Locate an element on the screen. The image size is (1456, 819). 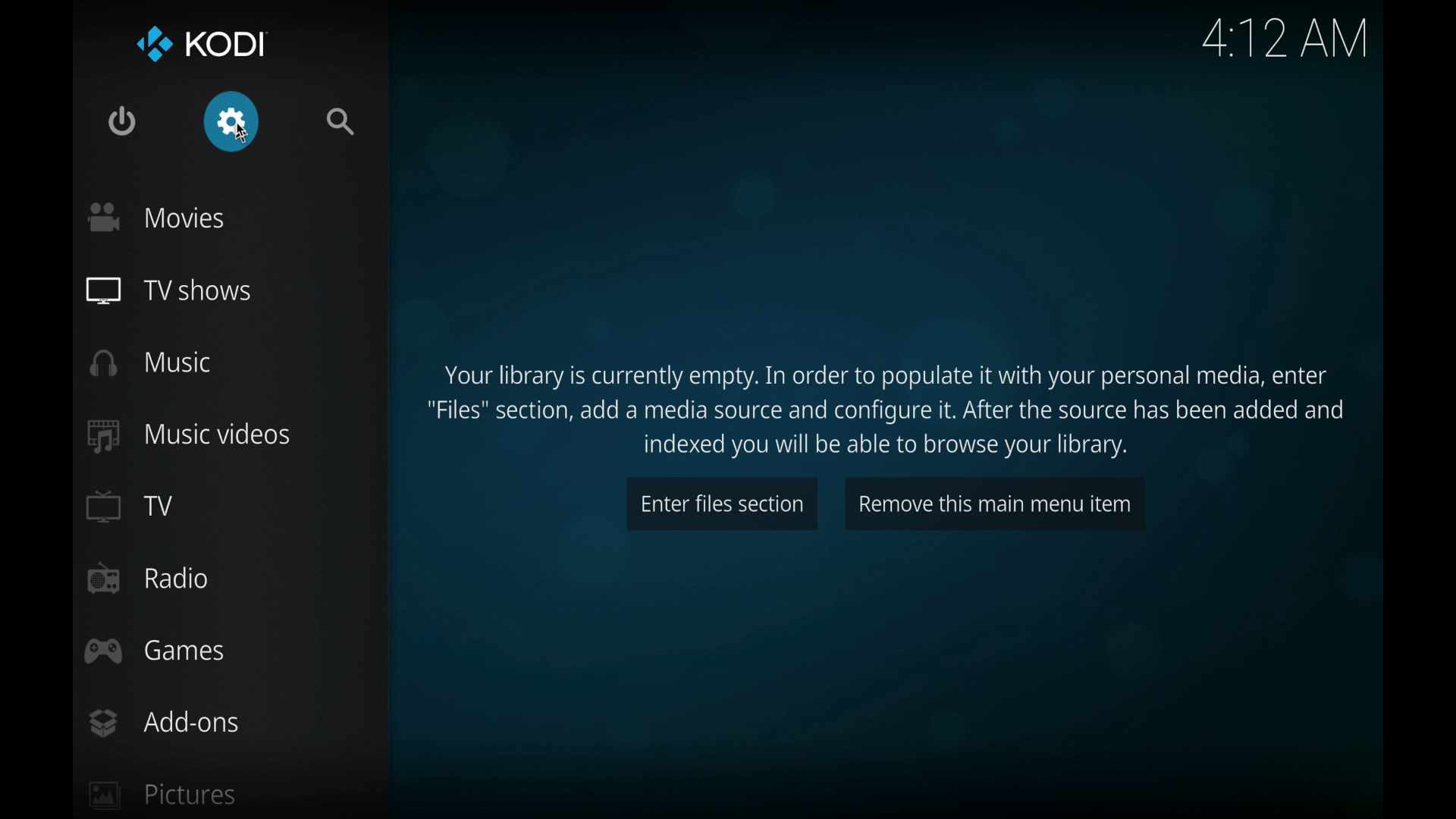
 tv shows is located at coordinates (169, 291).